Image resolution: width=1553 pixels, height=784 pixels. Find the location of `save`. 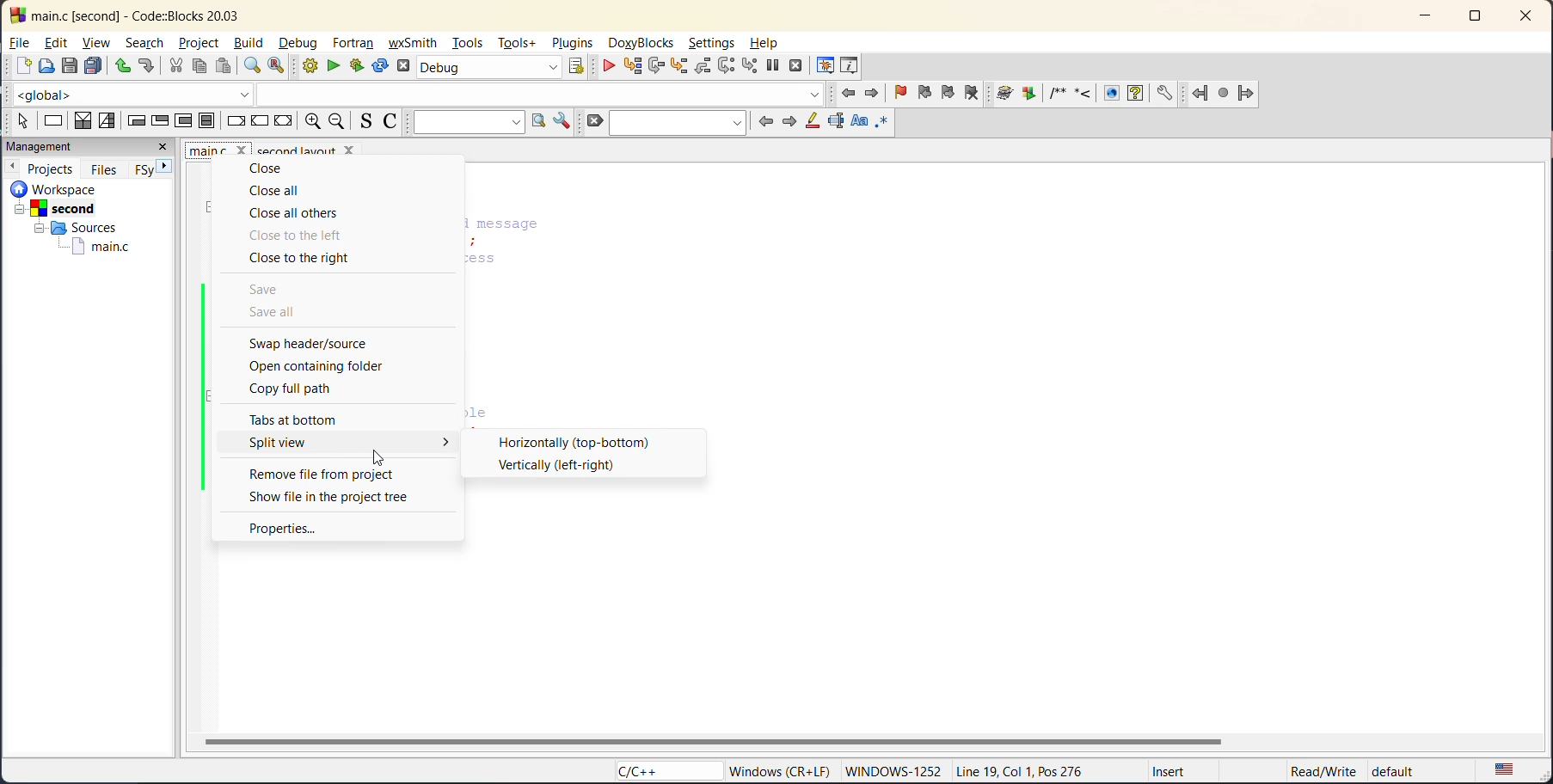

save is located at coordinates (67, 65).